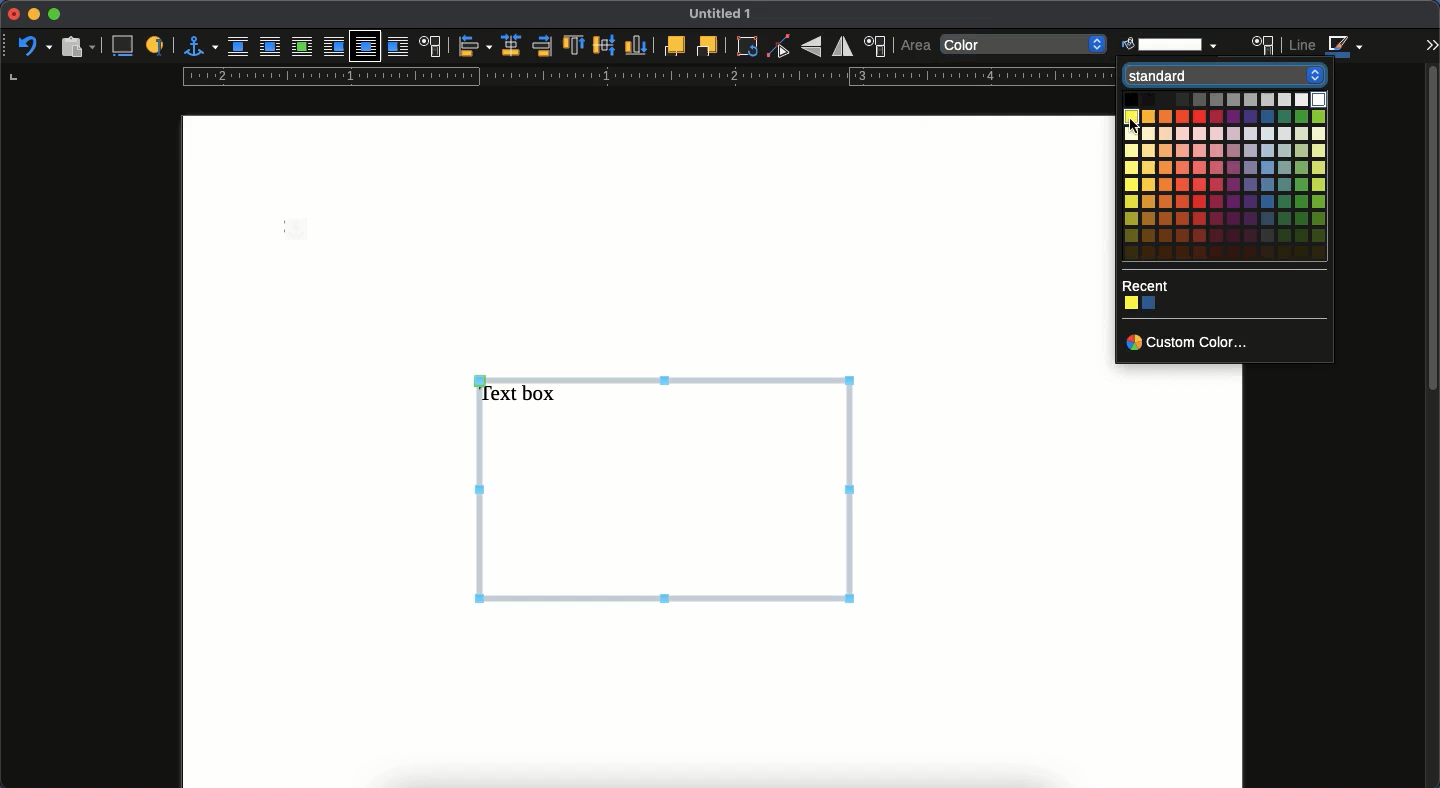 The image size is (1440, 788). What do you see at coordinates (156, 46) in the screenshot?
I see `a label to identify an object` at bounding box center [156, 46].